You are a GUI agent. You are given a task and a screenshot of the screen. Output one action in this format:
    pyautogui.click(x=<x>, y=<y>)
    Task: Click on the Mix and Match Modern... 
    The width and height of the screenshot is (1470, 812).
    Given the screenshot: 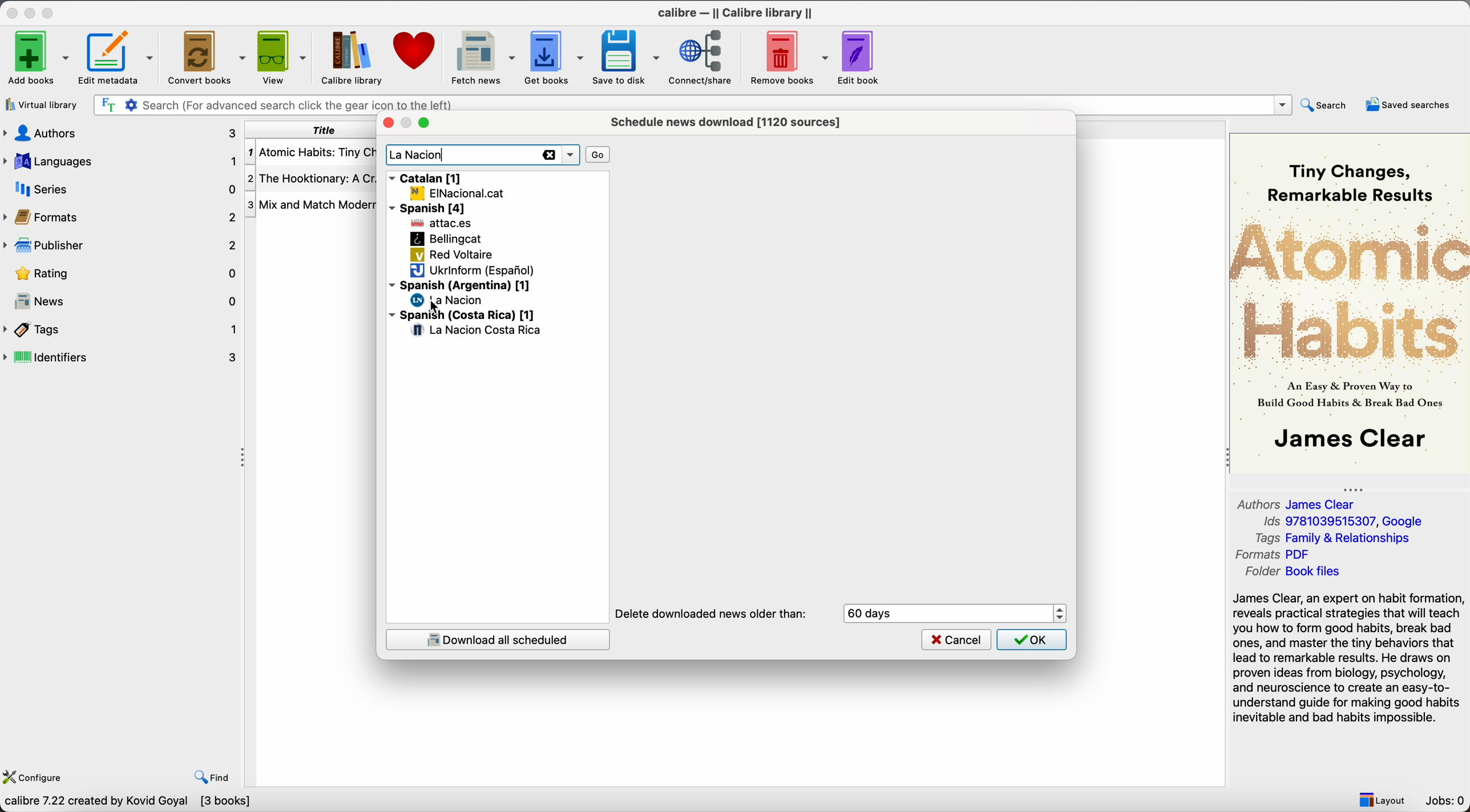 What is the action you would take?
    pyautogui.click(x=312, y=205)
    